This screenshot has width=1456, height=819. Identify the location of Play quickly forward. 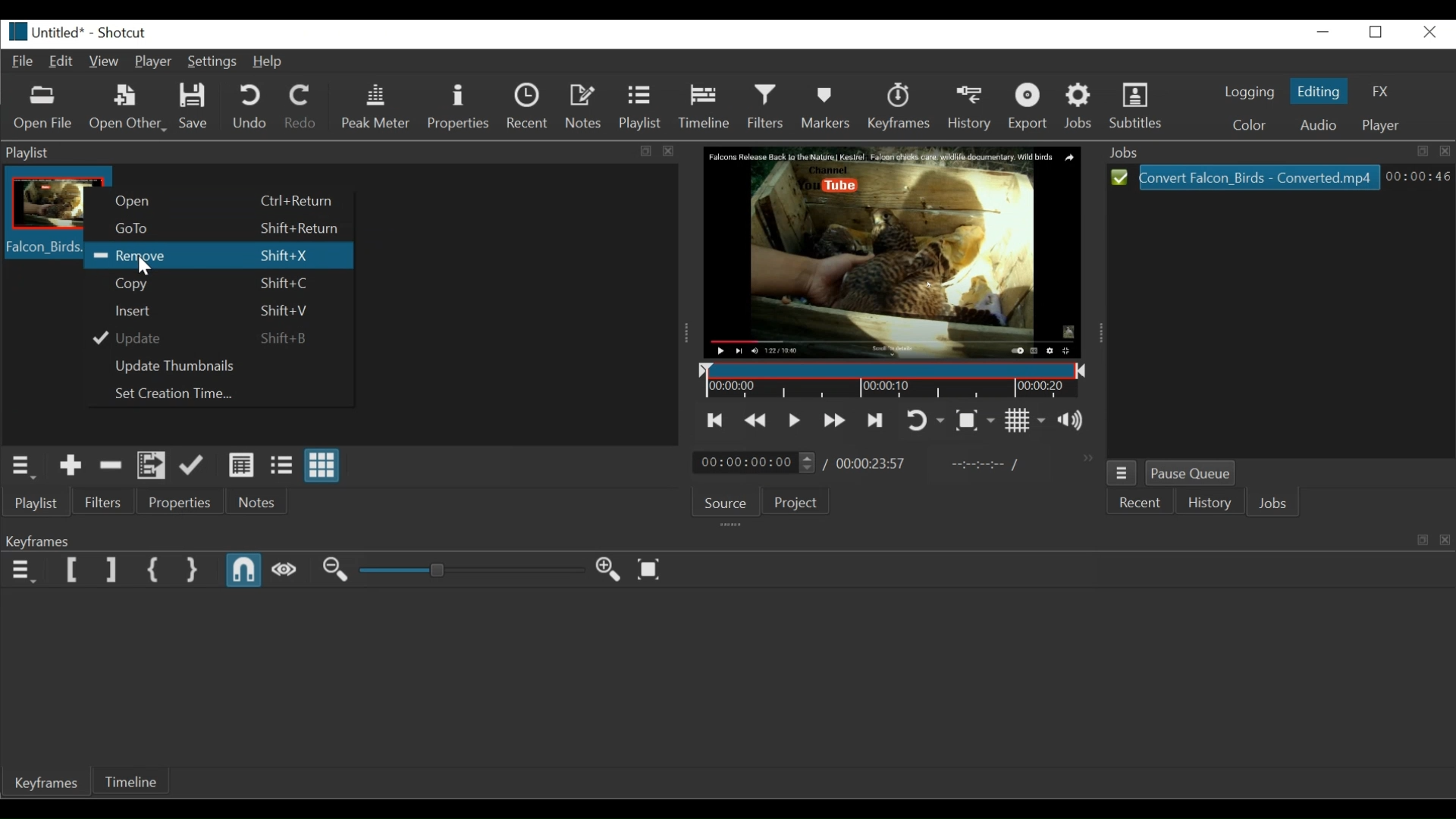
(833, 421).